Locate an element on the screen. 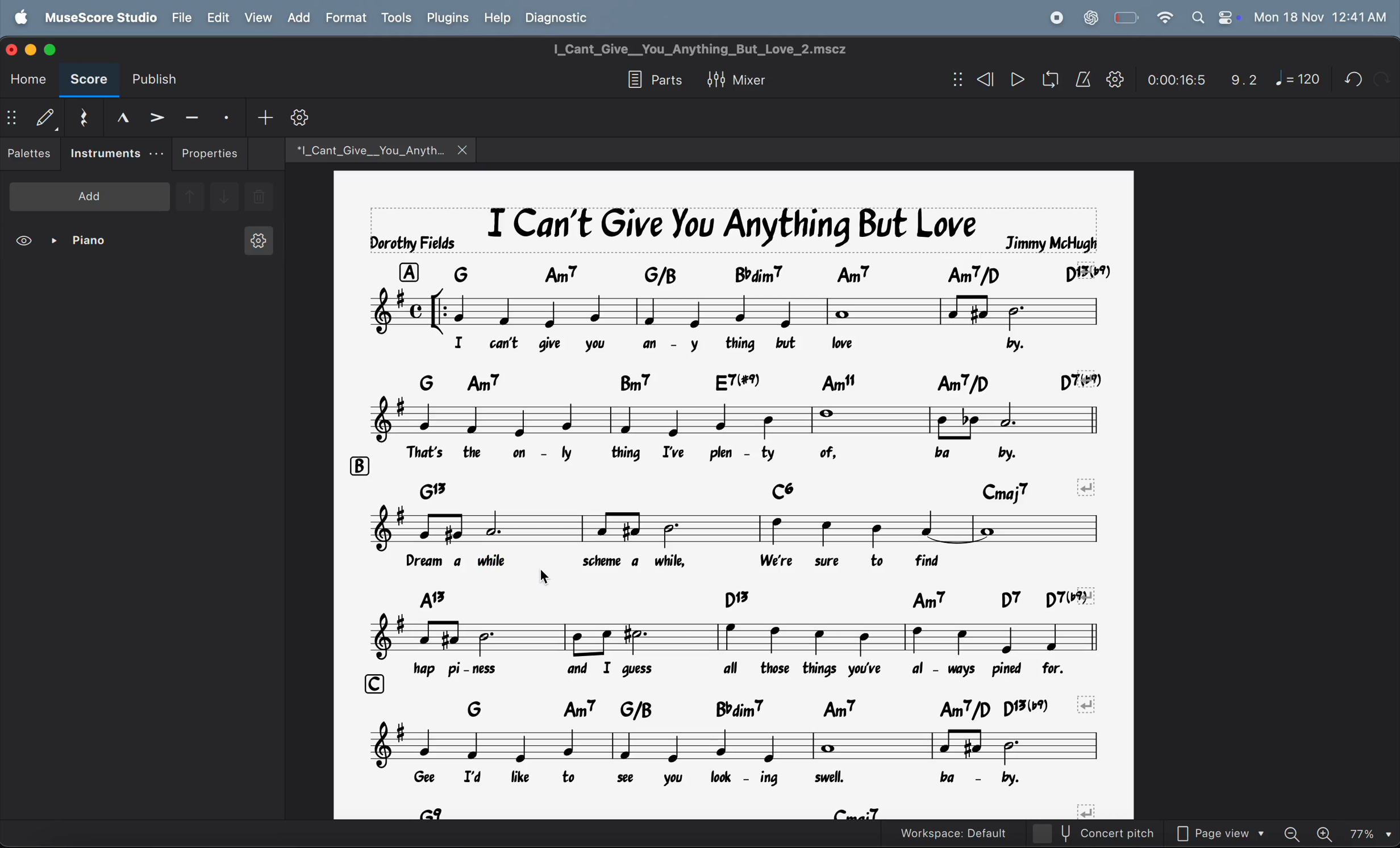 The image size is (1400, 848). chord symbols is located at coordinates (782, 274).